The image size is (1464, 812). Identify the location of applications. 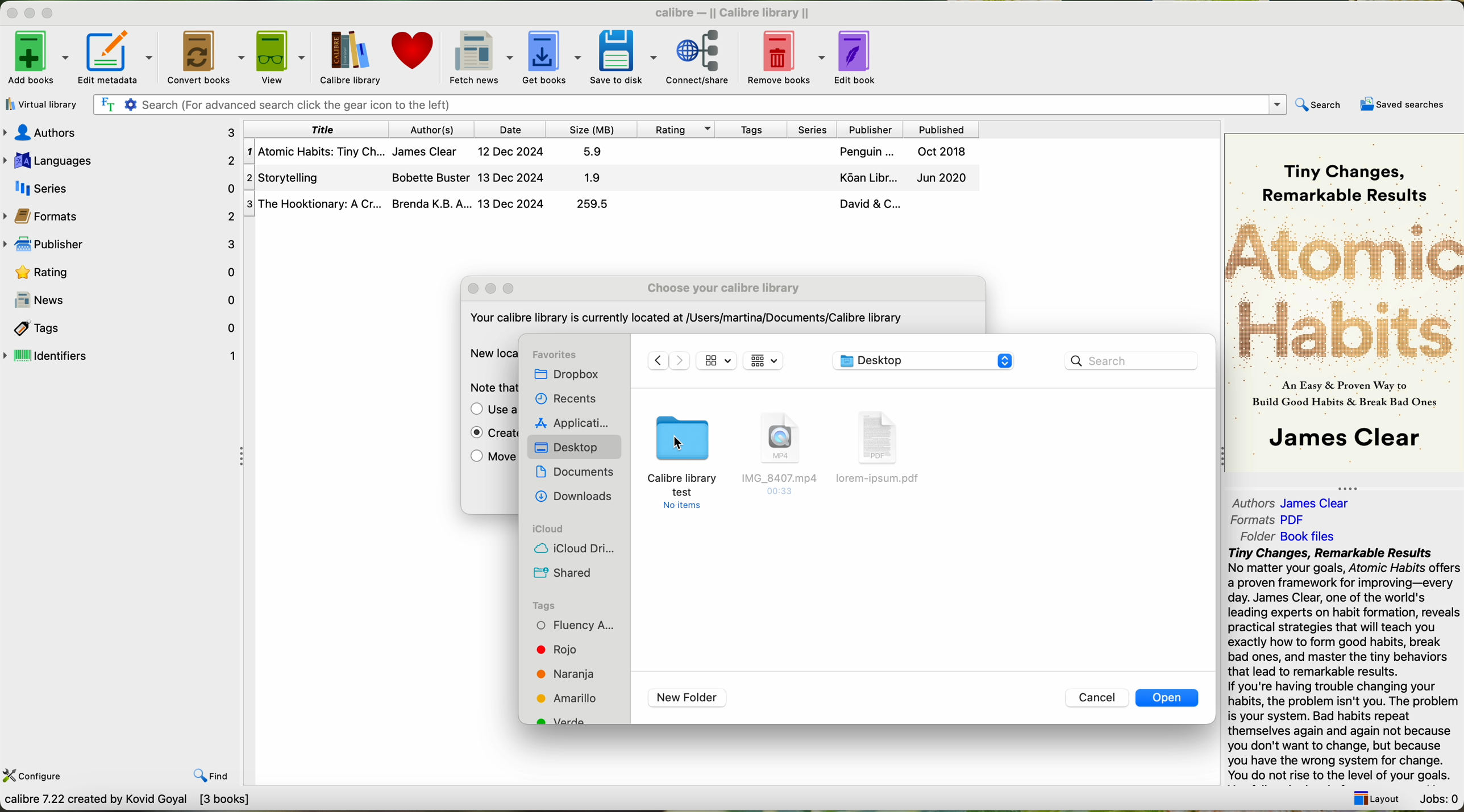
(572, 423).